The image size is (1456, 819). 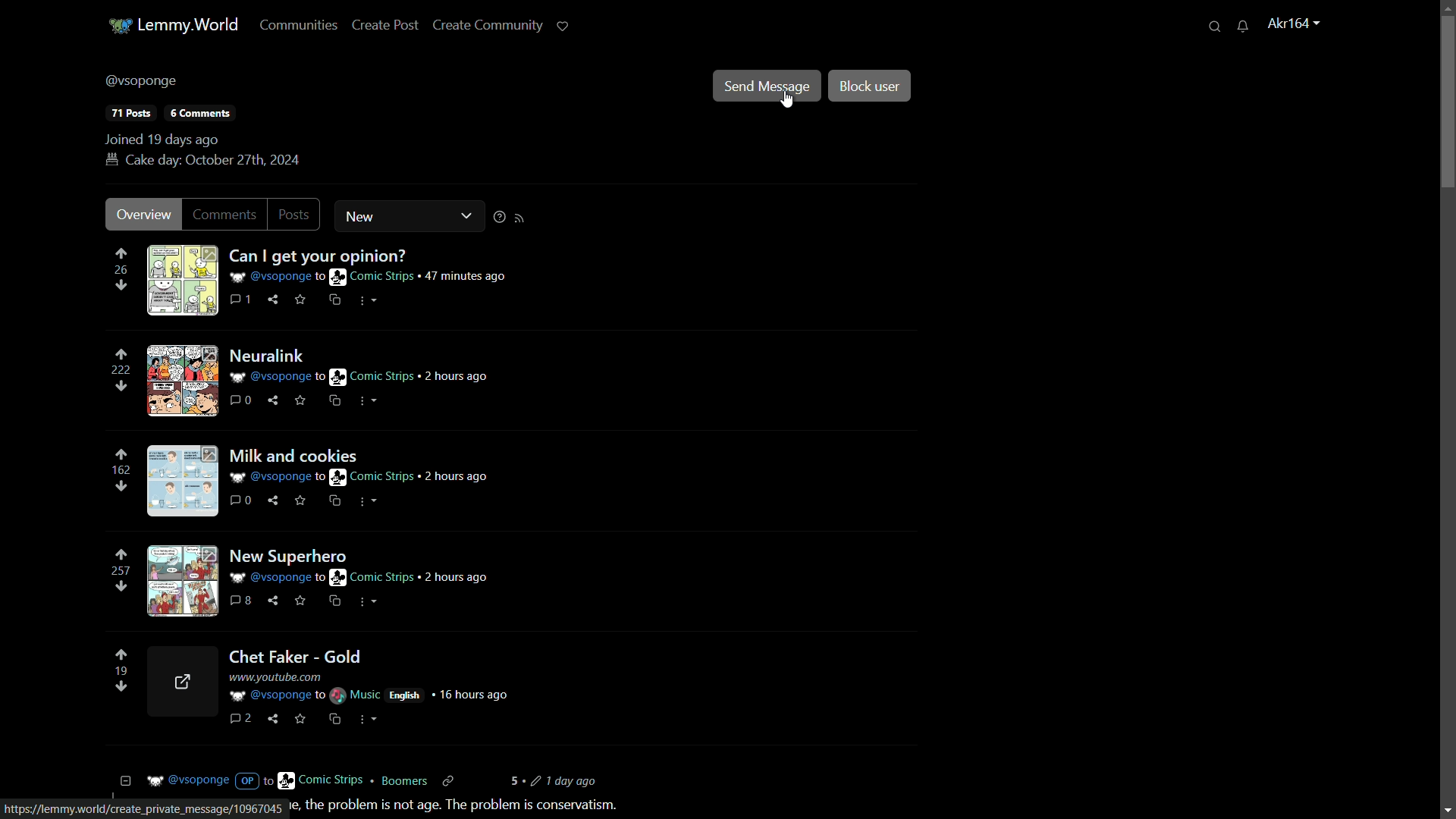 I want to click on rss, so click(x=522, y=217).